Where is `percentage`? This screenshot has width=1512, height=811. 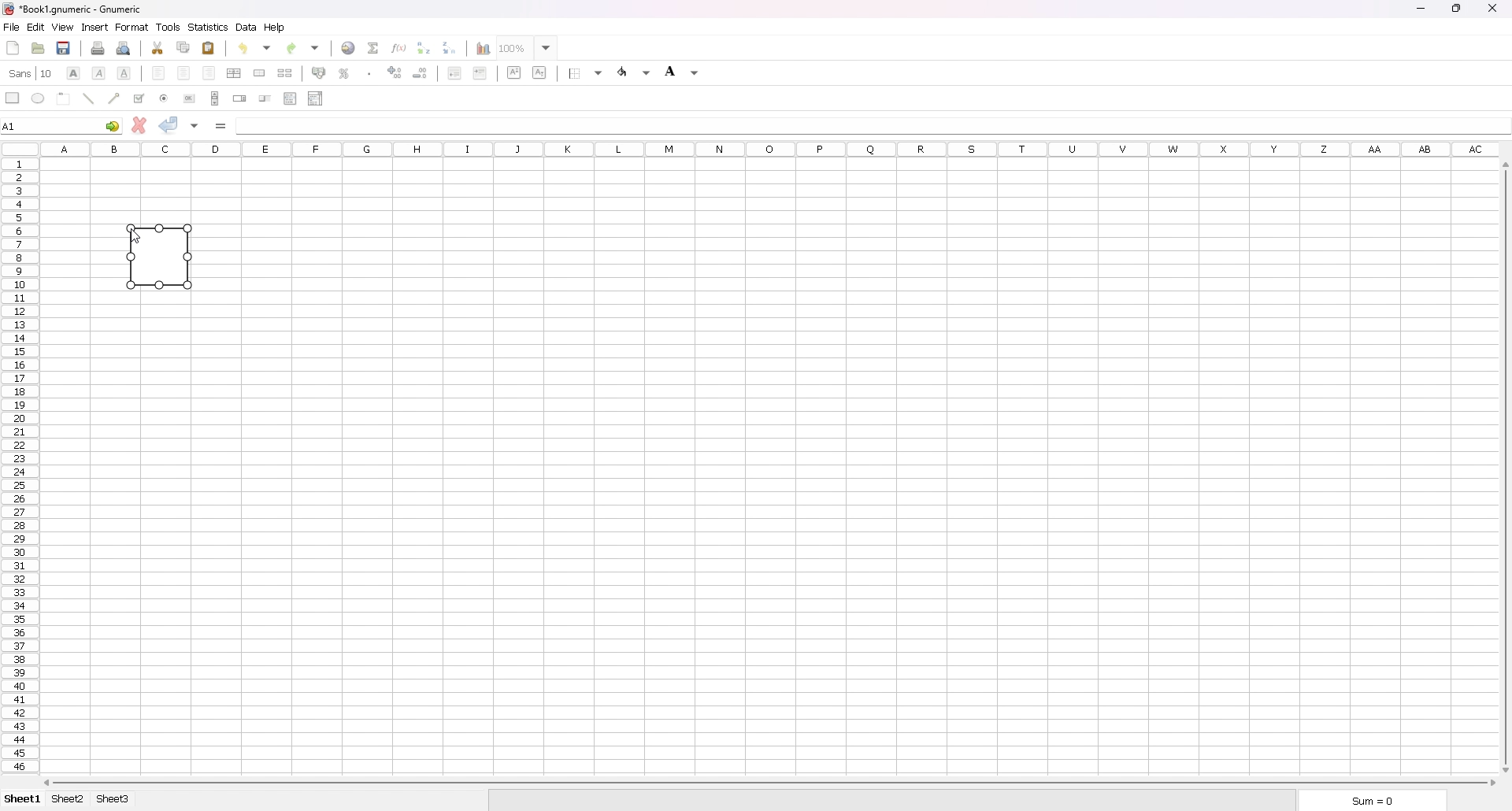 percentage is located at coordinates (345, 72).